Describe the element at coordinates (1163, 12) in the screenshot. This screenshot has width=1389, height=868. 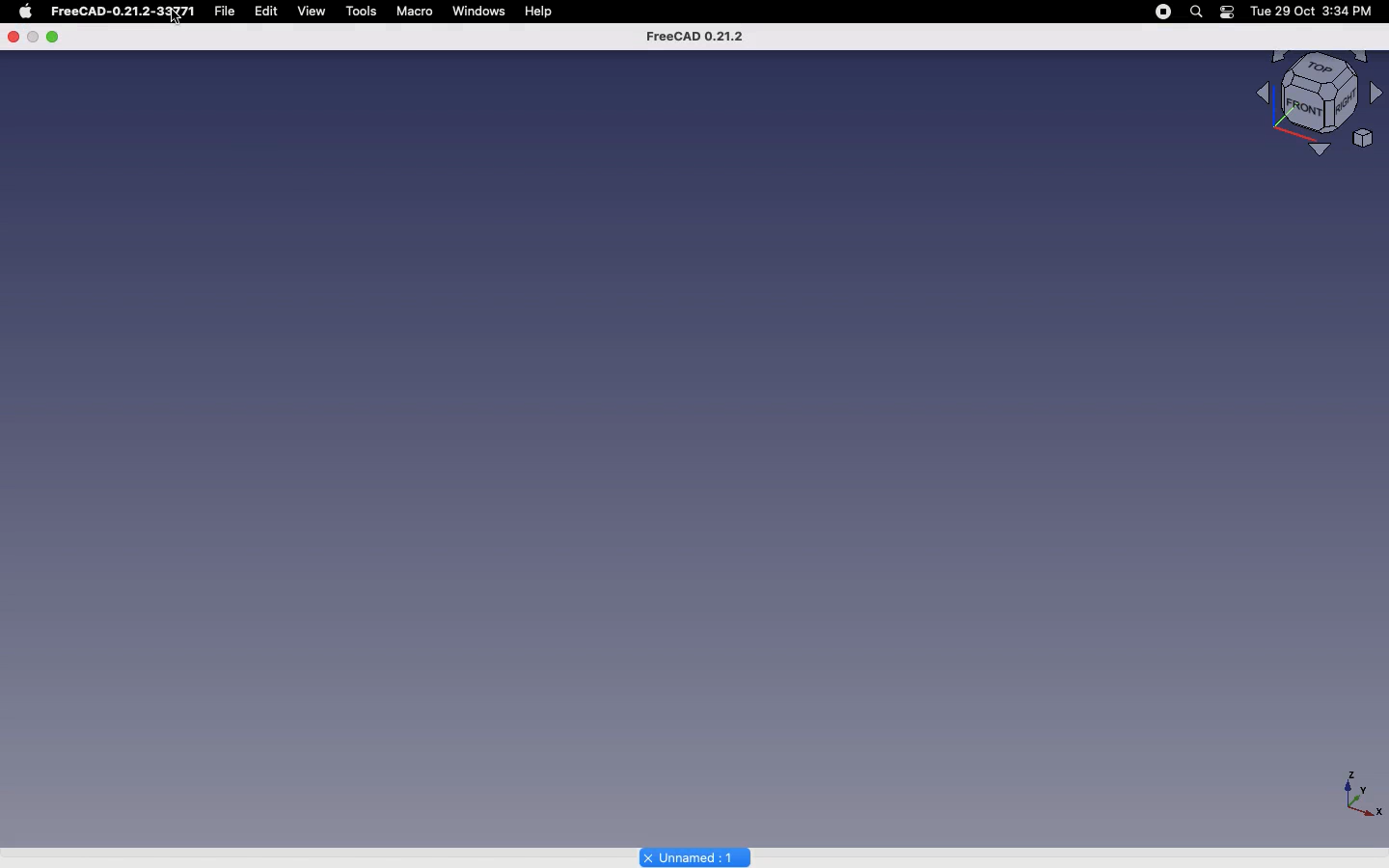
I see `pause` at that location.